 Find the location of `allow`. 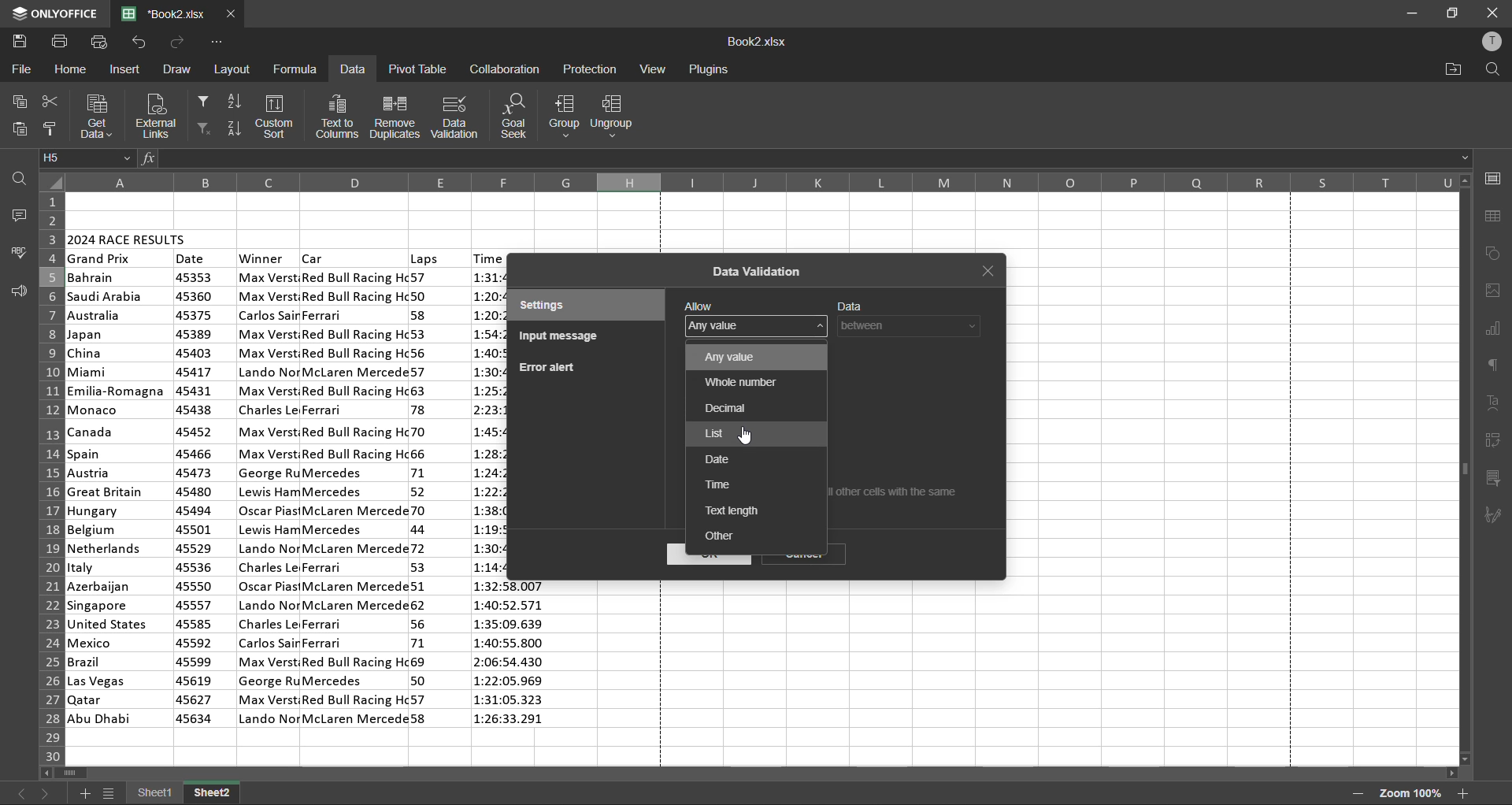

allow is located at coordinates (699, 305).